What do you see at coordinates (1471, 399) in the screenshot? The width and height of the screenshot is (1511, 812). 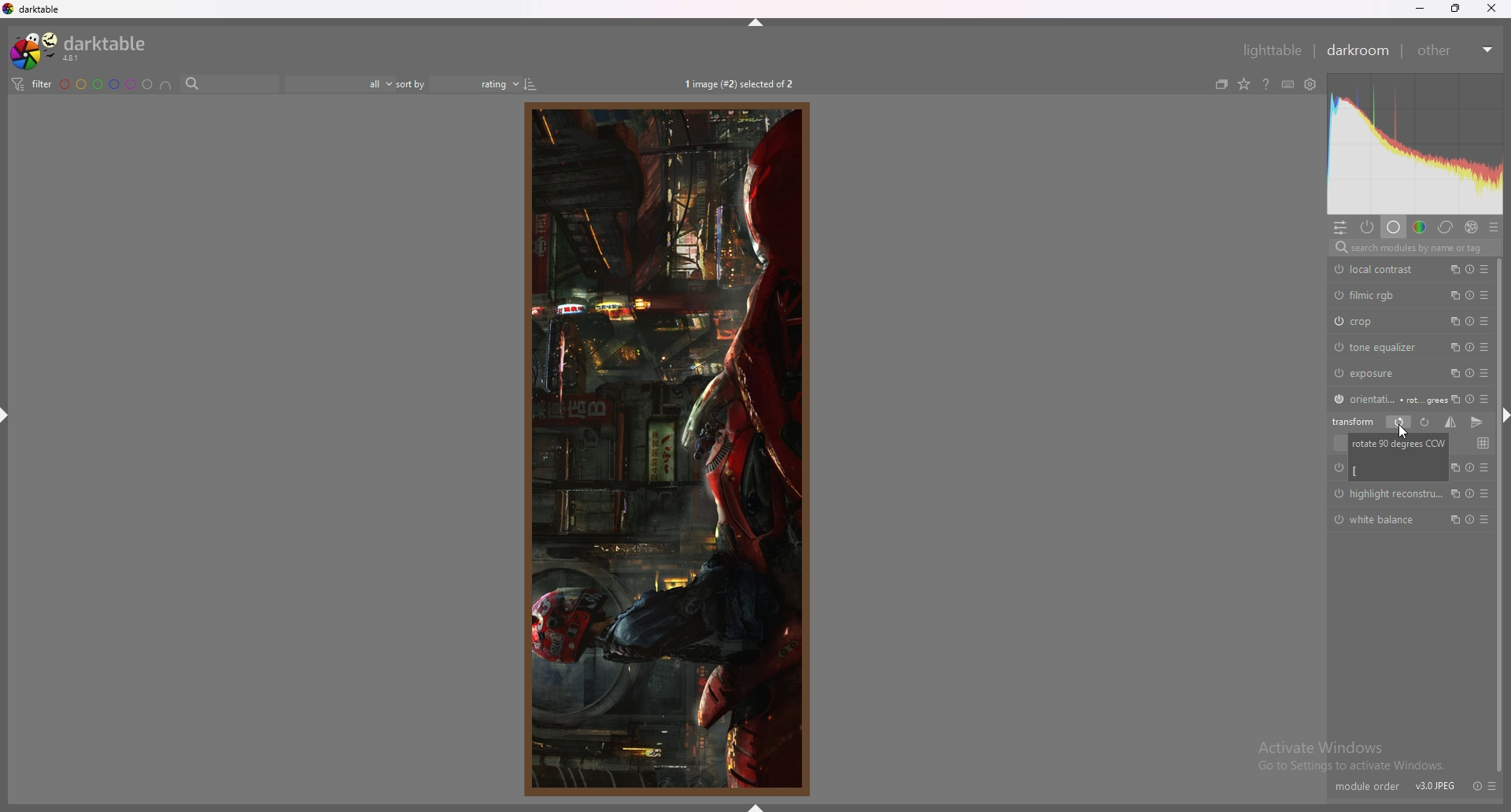 I see `reset` at bounding box center [1471, 399].